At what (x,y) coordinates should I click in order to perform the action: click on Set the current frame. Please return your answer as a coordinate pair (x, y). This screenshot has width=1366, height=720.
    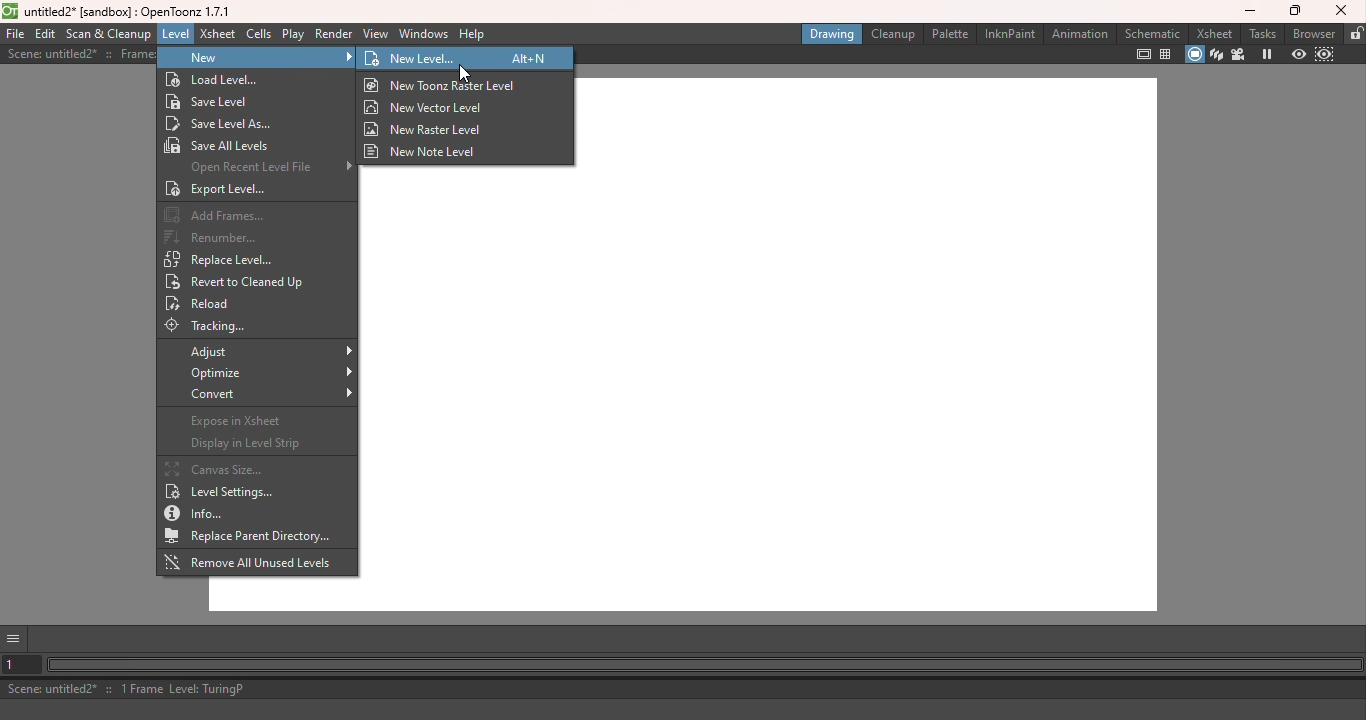
    Looking at the image, I should click on (20, 667).